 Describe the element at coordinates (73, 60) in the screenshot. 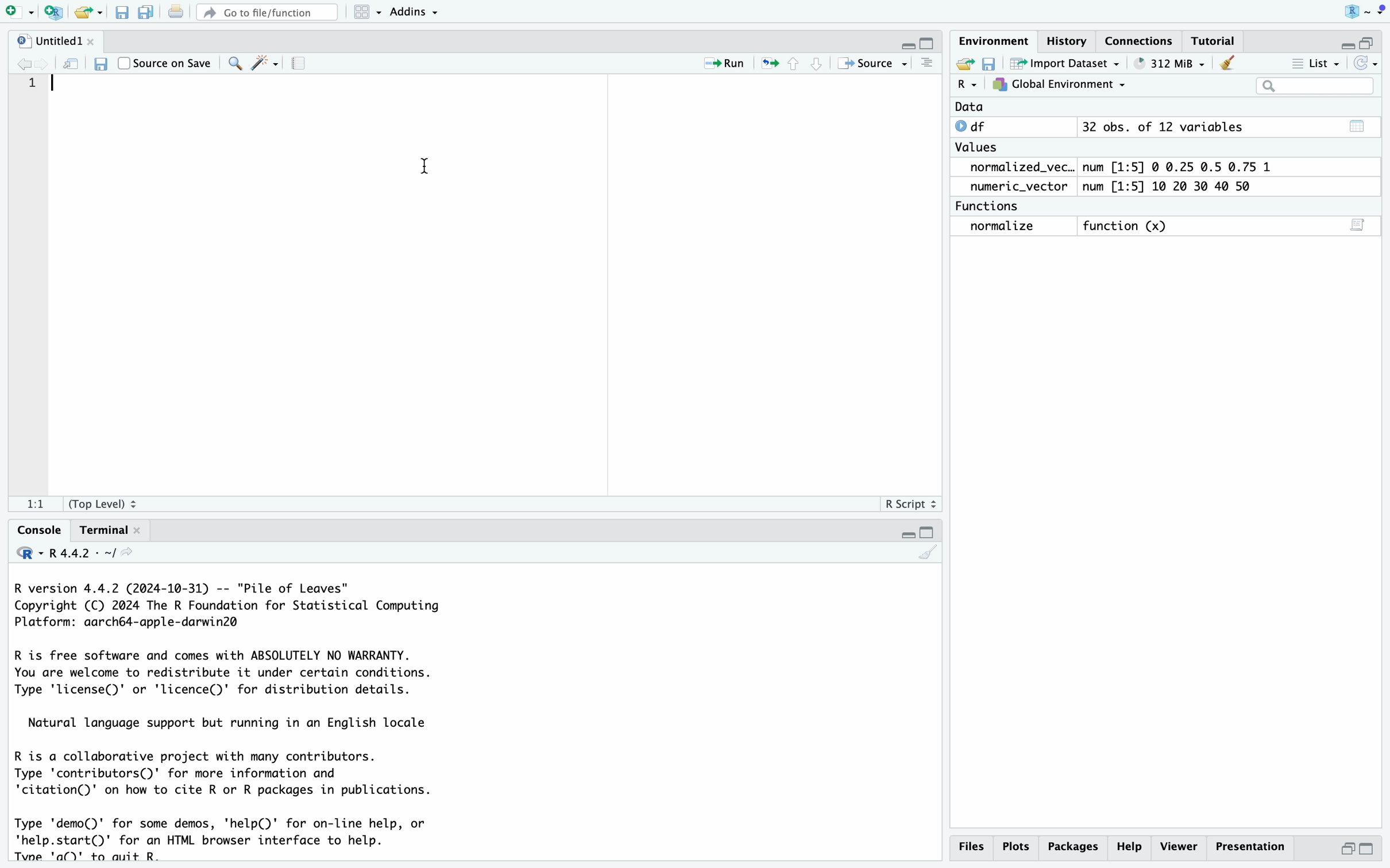

I see `show mw in new window` at that location.